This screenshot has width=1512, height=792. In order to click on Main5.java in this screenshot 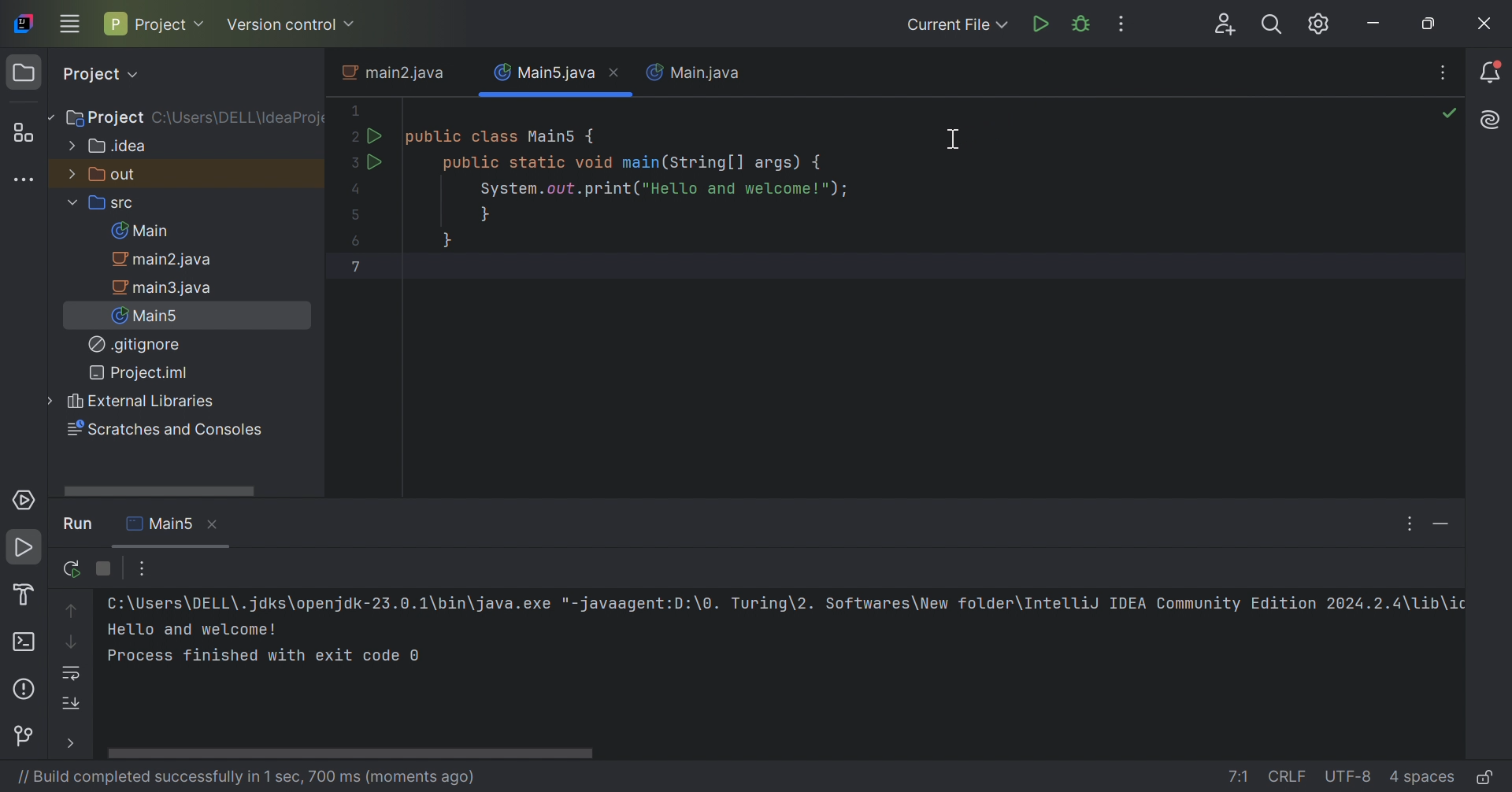, I will do `click(543, 73)`.